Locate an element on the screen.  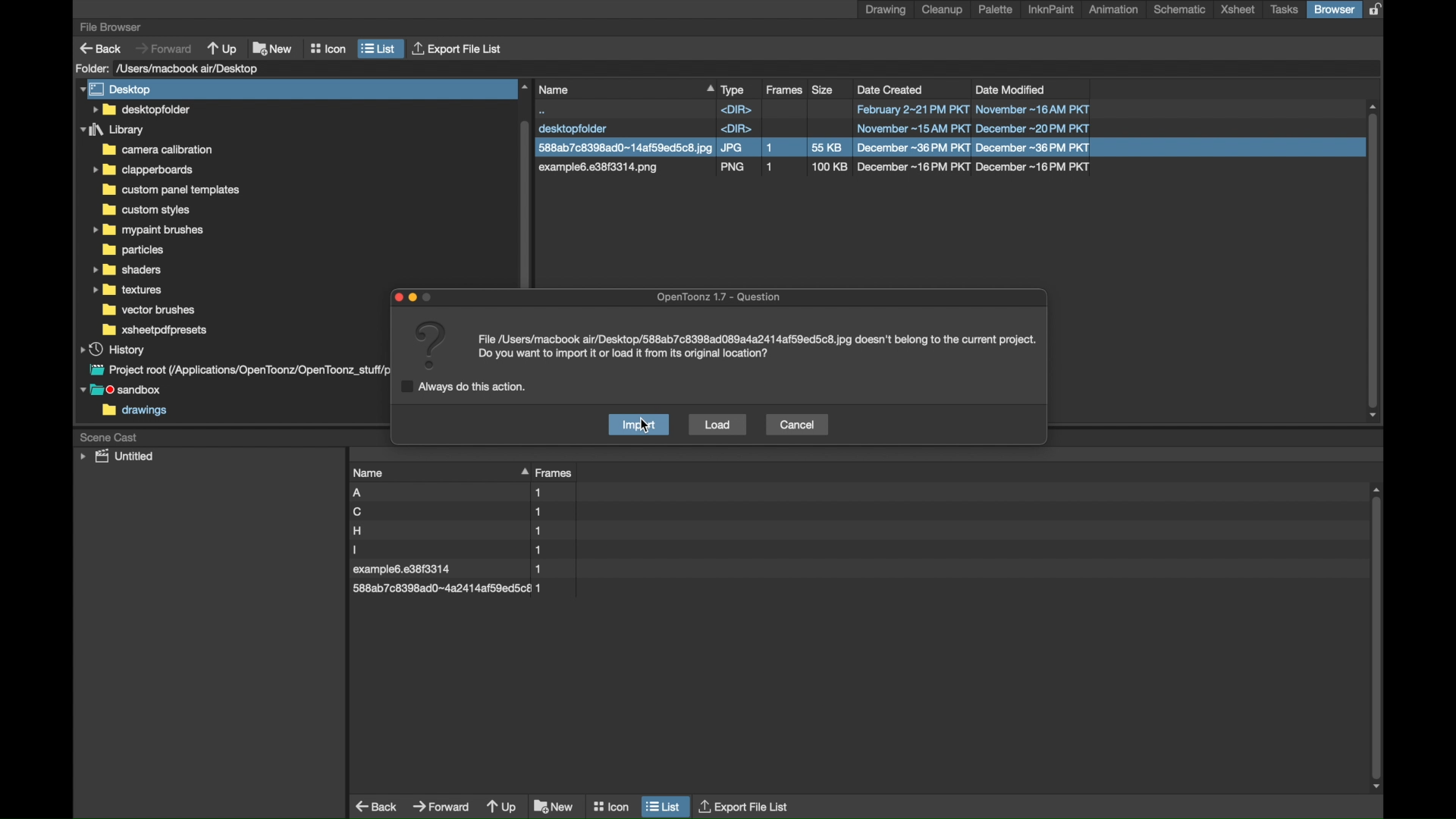
folder is located at coordinates (113, 130).